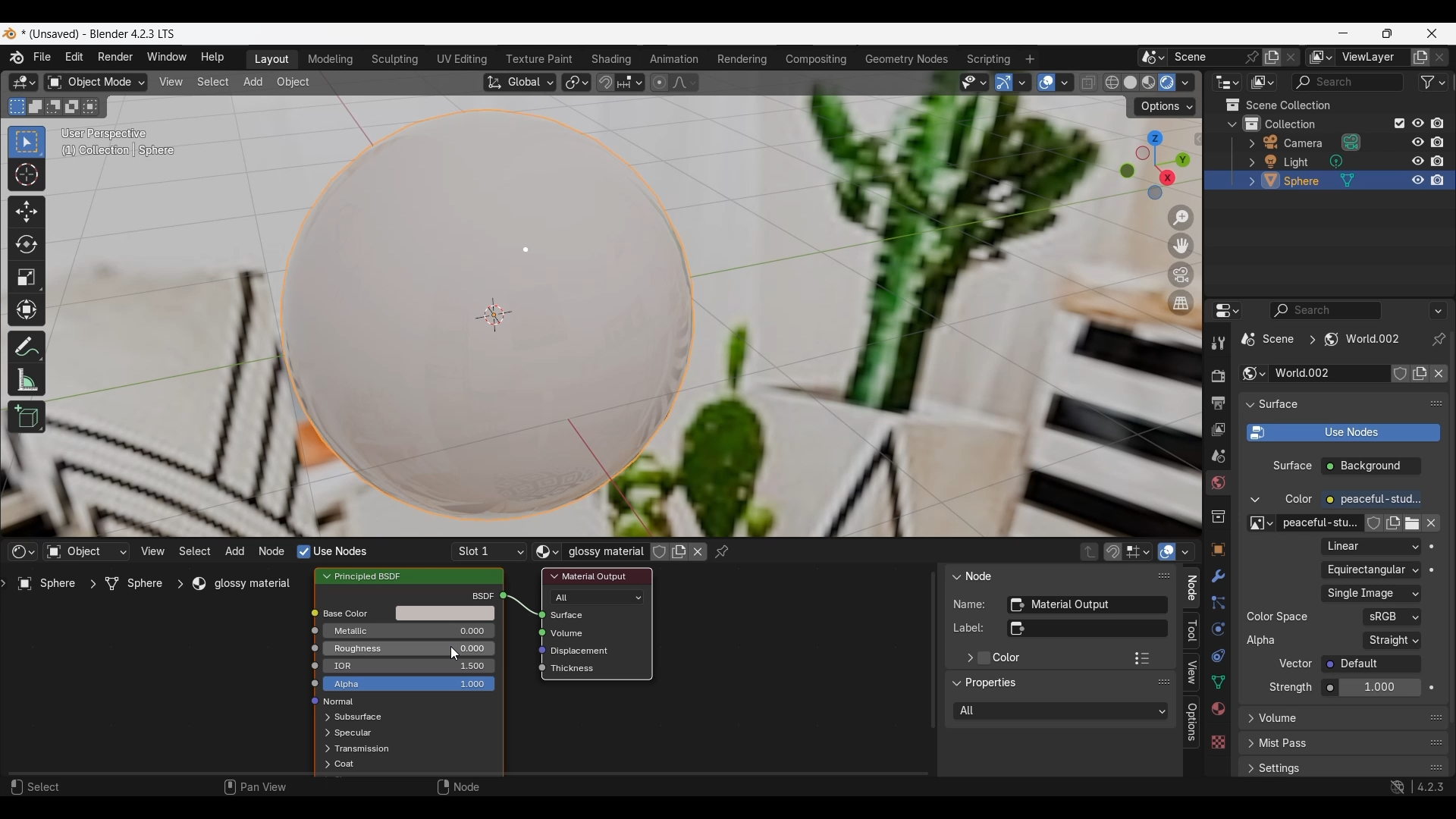 The height and width of the screenshot is (819, 1456). Describe the element at coordinates (71, 107) in the screenshot. I see `Invert existing selection` at that location.